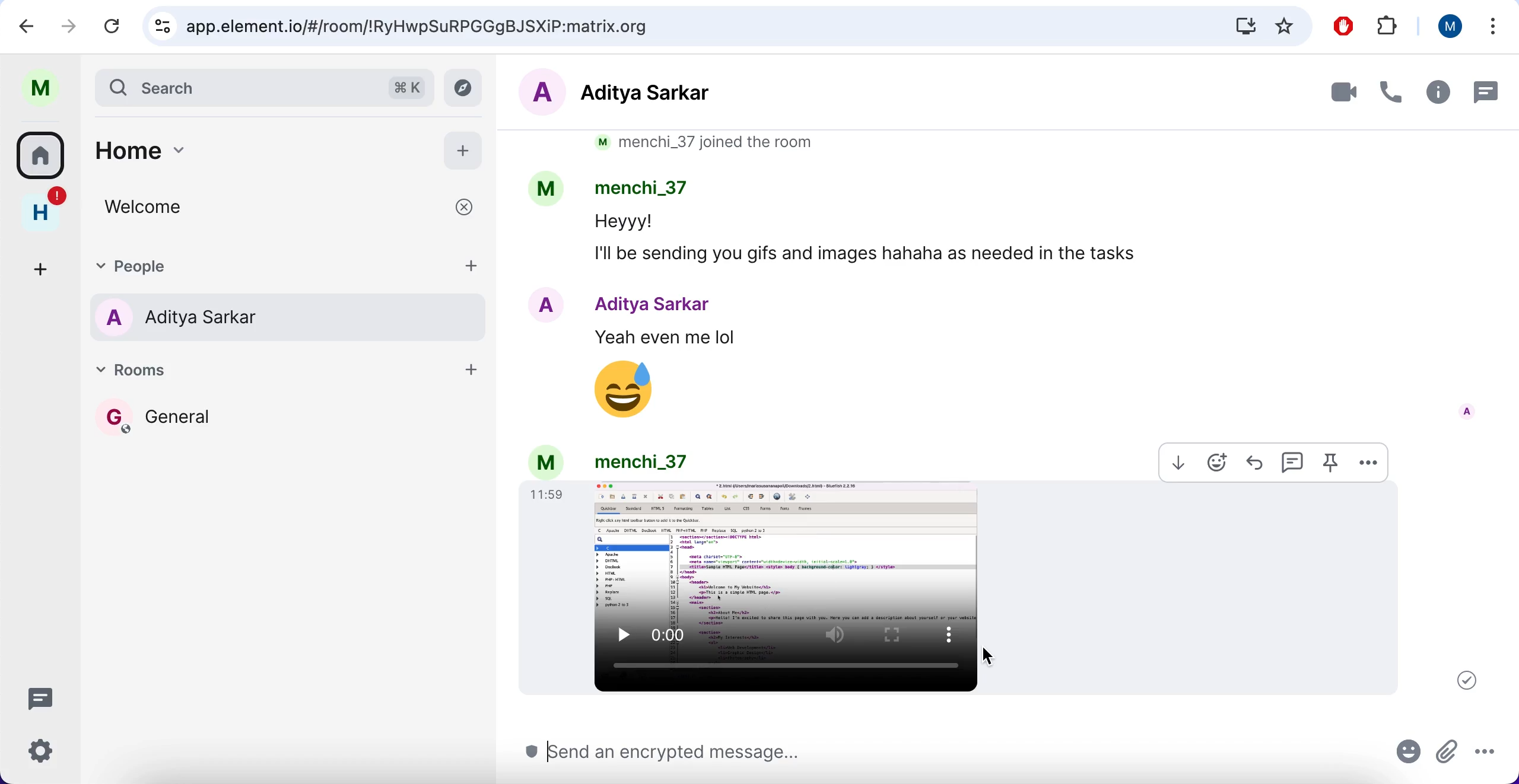 Image resolution: width=1519 pixels, height=784 pixels. What do you see at coordinates (45, 753) in the screenshot?
I see `configuration` at bounding box center [45, 753].